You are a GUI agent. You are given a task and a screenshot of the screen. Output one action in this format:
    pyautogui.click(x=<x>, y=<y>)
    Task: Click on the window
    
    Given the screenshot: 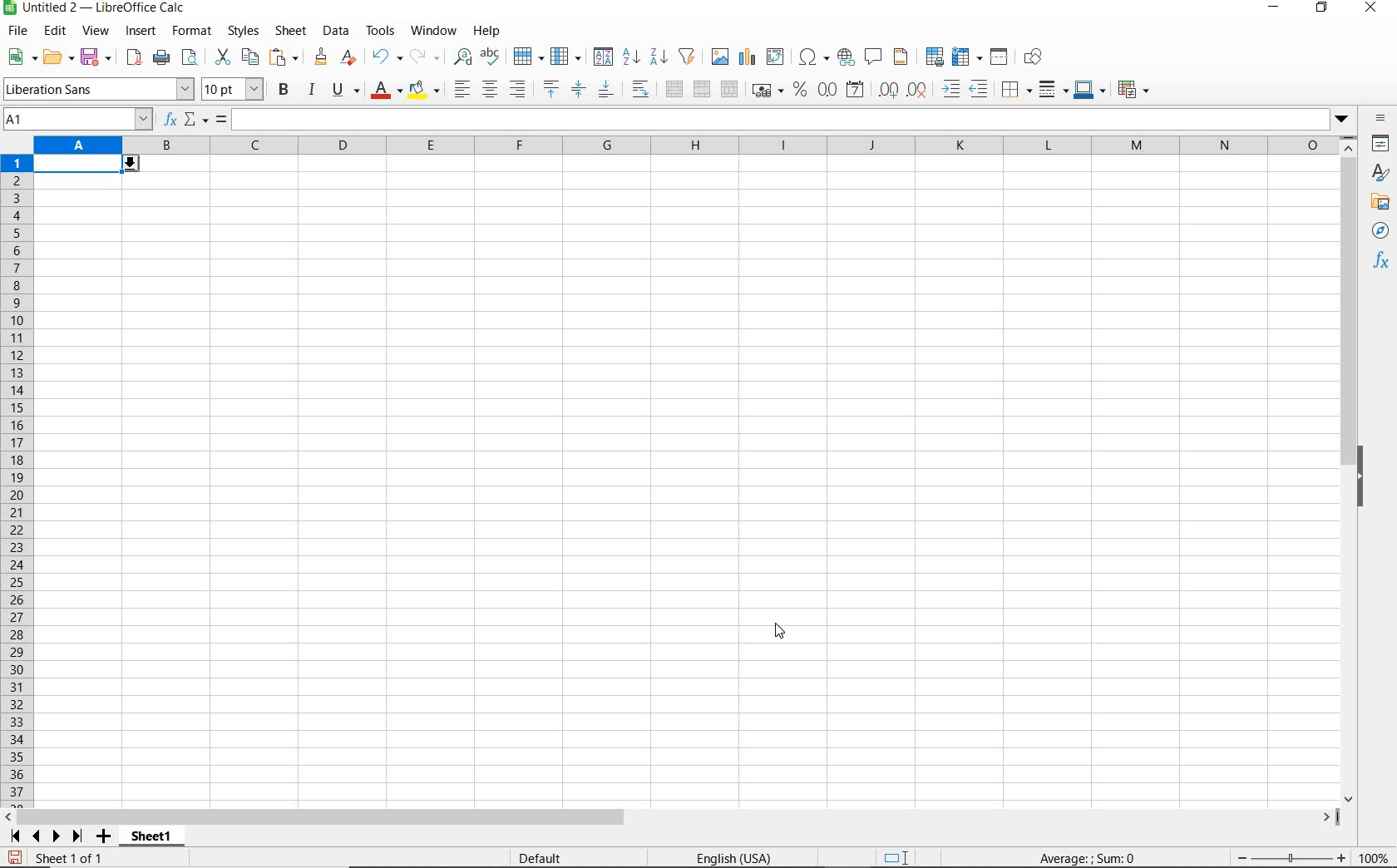 What is the action you would take?
    pyautogui.click(x=433, y=28)
    